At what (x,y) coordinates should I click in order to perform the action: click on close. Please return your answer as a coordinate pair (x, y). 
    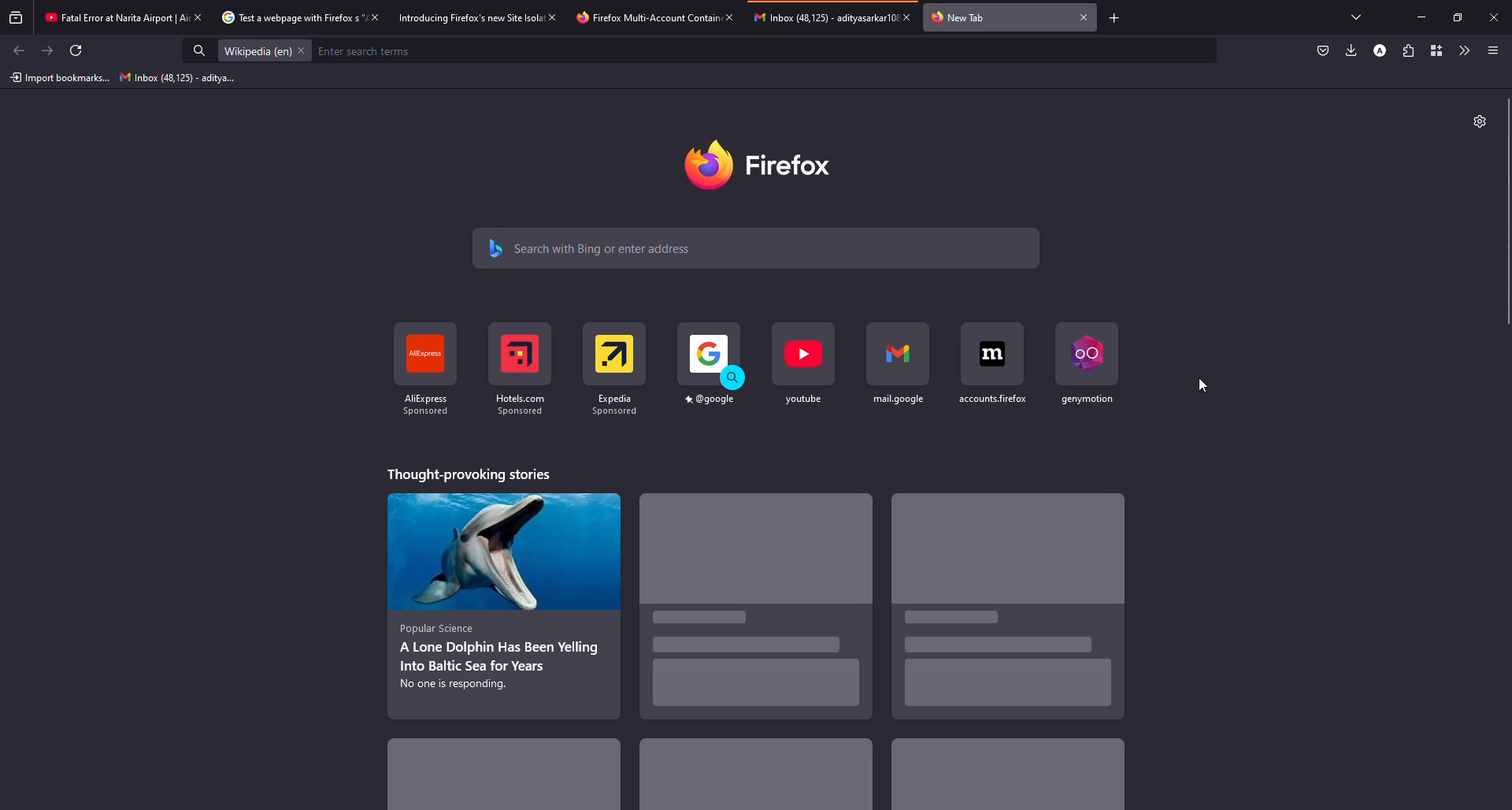
    Looking at the image, I should click on (1084, 17).